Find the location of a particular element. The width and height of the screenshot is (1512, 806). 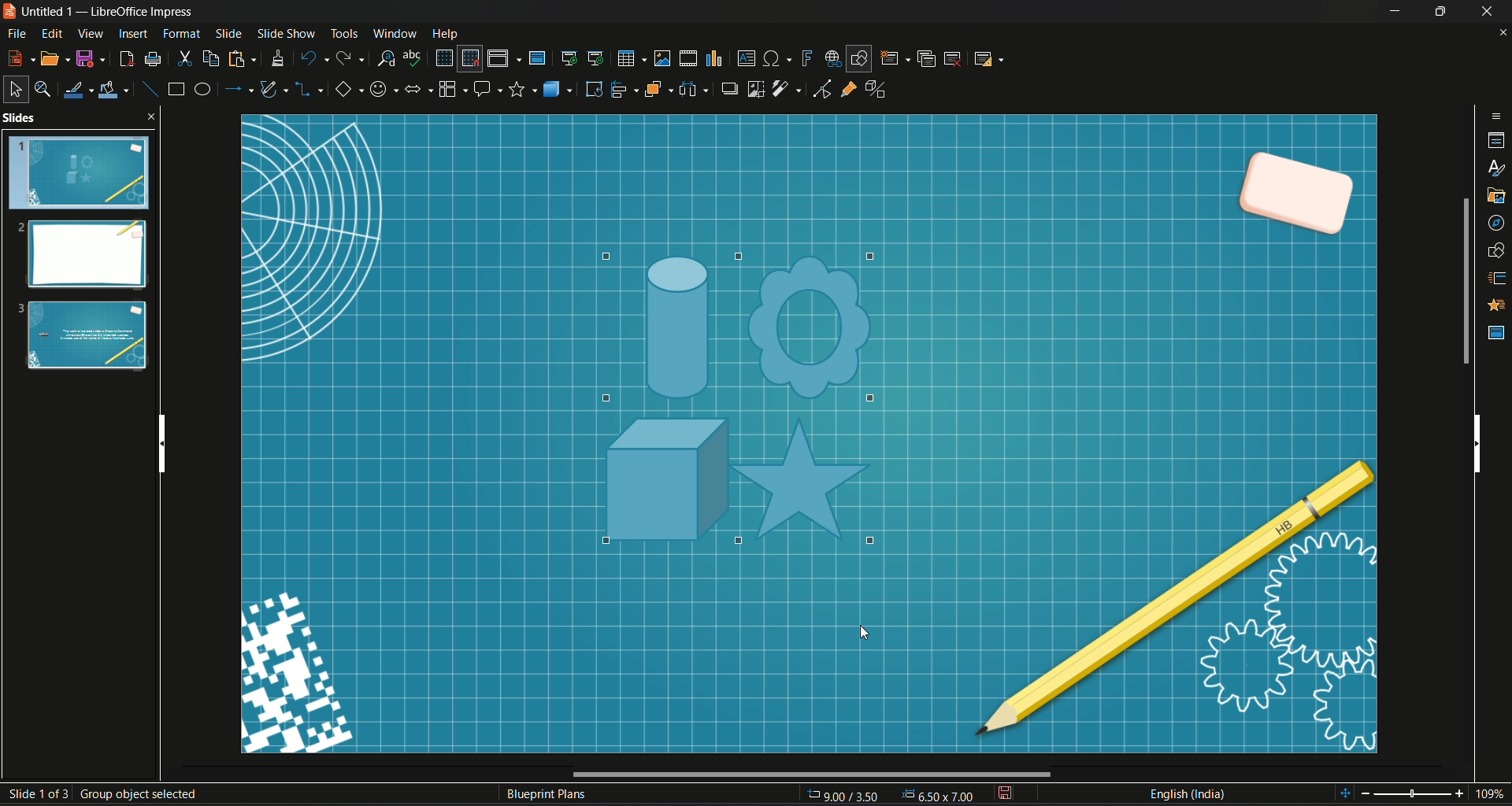

Help is located at coordinates (446, 34).